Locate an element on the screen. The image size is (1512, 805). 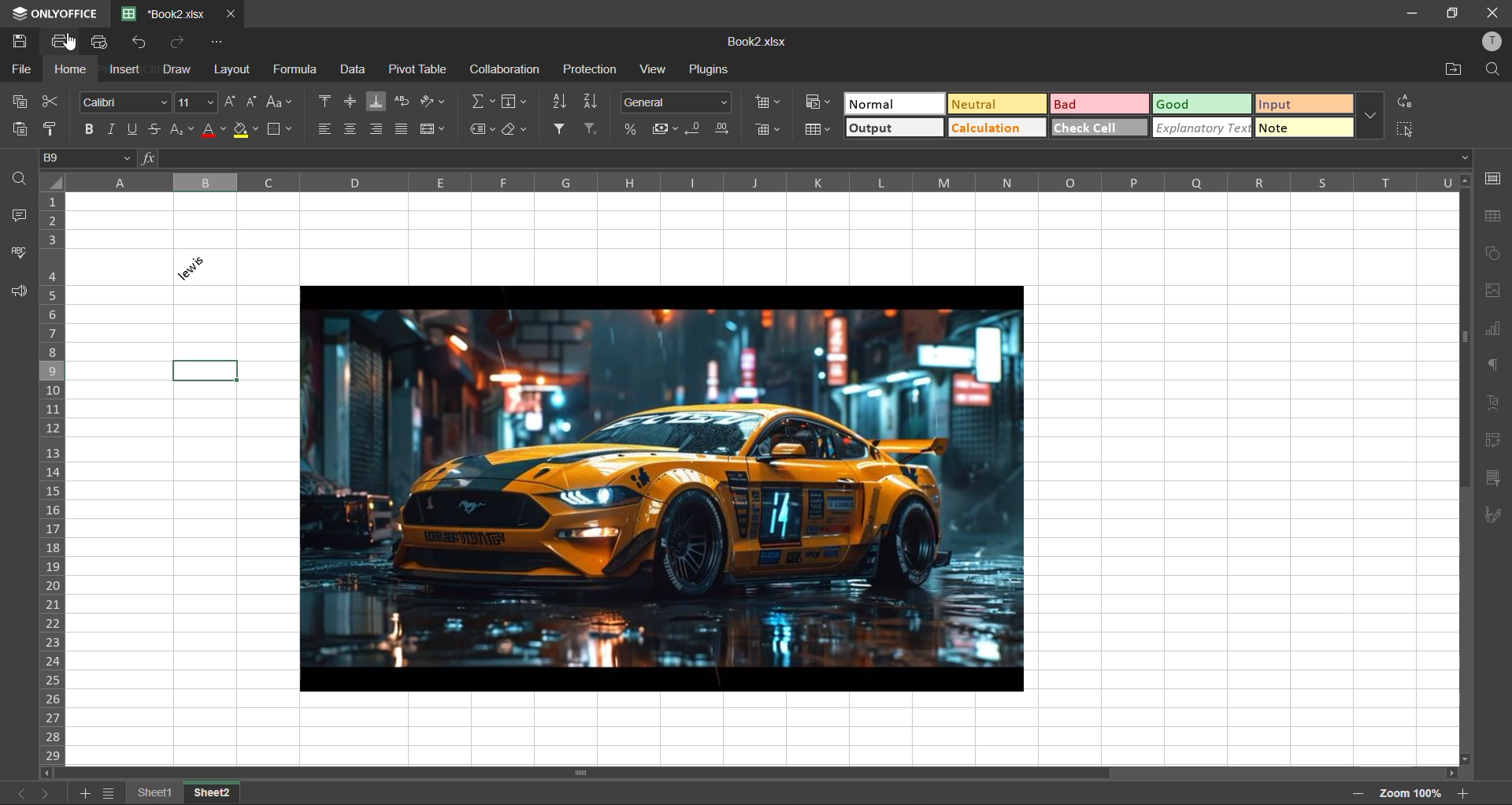
feedback is located at coordinates (18, 291).